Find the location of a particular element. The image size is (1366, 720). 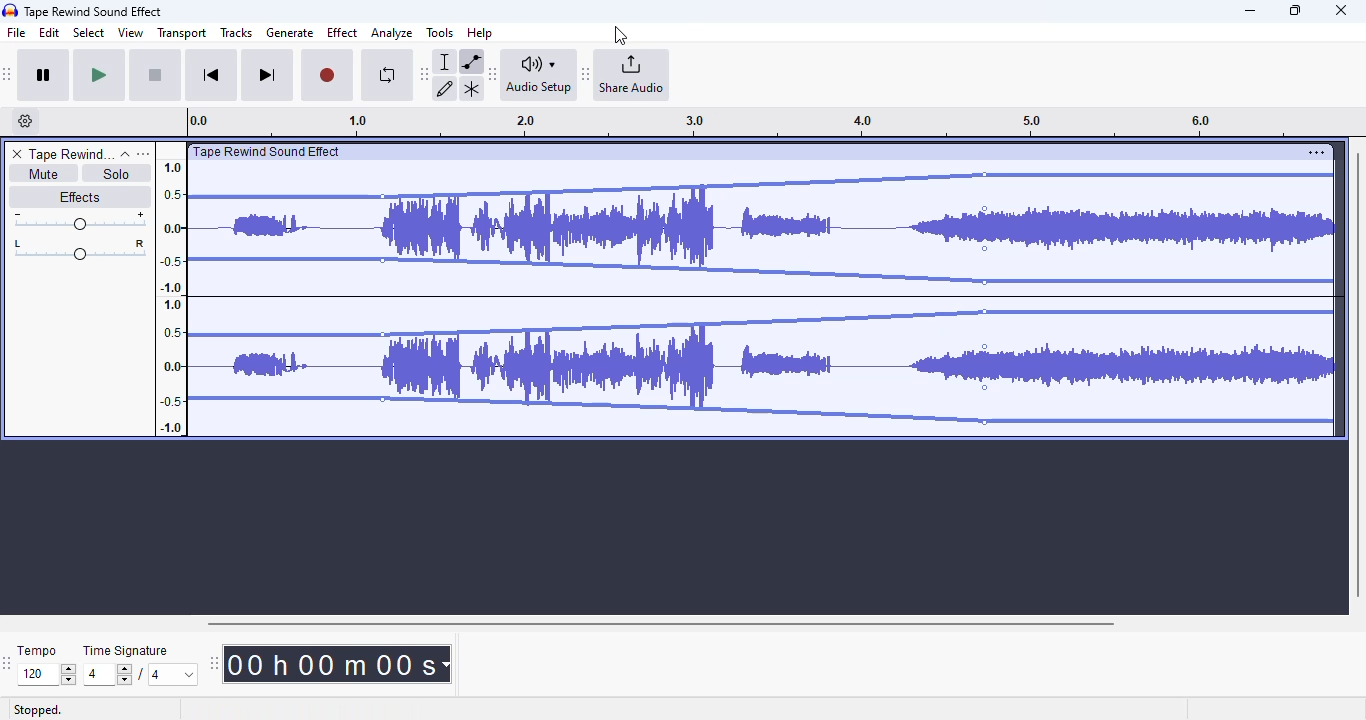

skip to end is located at coordinates (266, 76).